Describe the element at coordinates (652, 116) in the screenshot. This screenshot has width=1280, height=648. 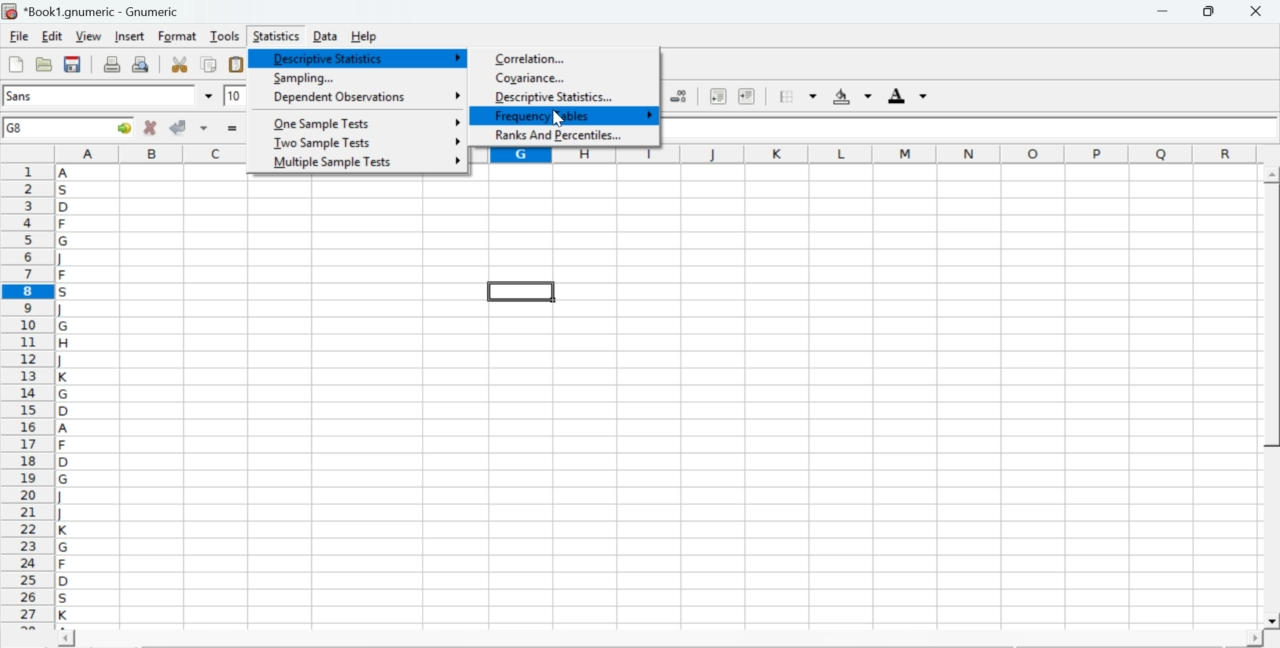
I see `more` at that location.